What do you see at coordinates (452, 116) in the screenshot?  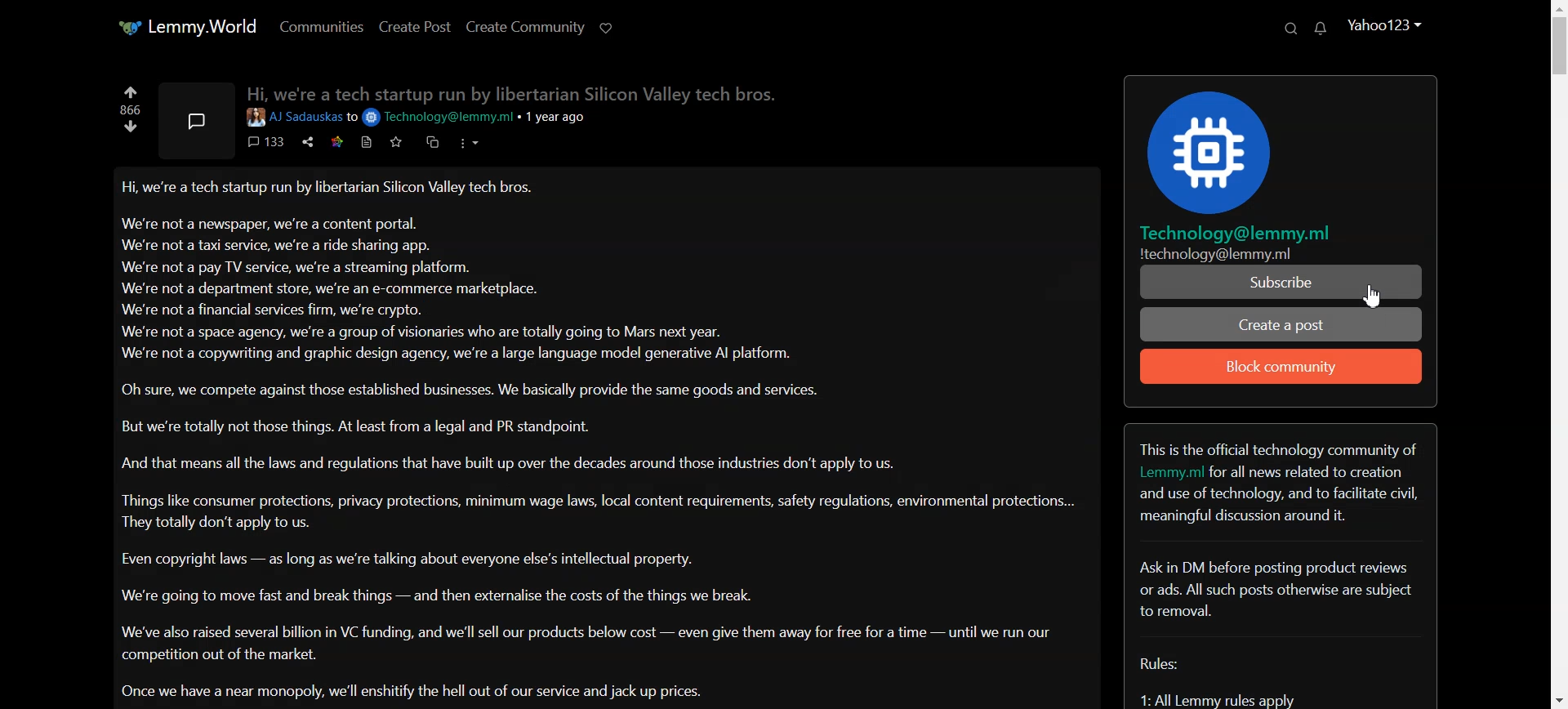 I see `email` at bounding box center [452, 116].